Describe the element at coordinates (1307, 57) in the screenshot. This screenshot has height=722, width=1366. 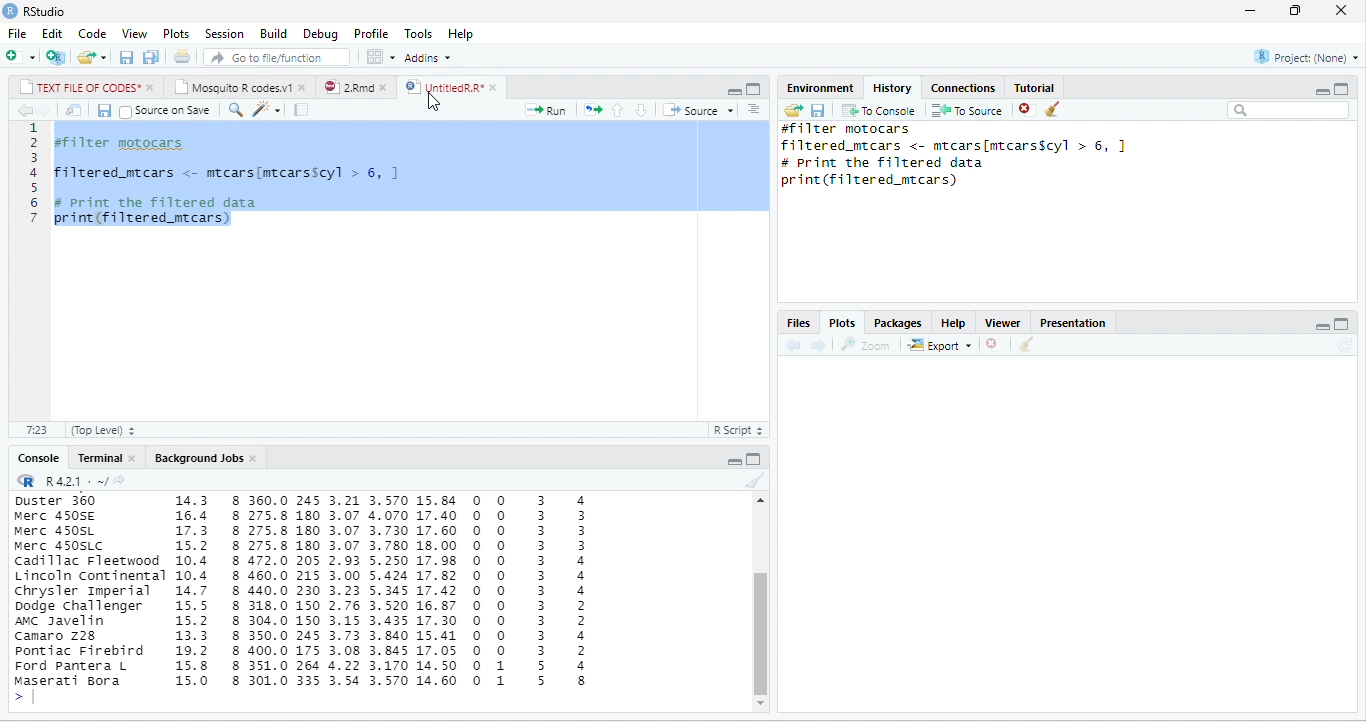
I see `Project(None)` at that location.